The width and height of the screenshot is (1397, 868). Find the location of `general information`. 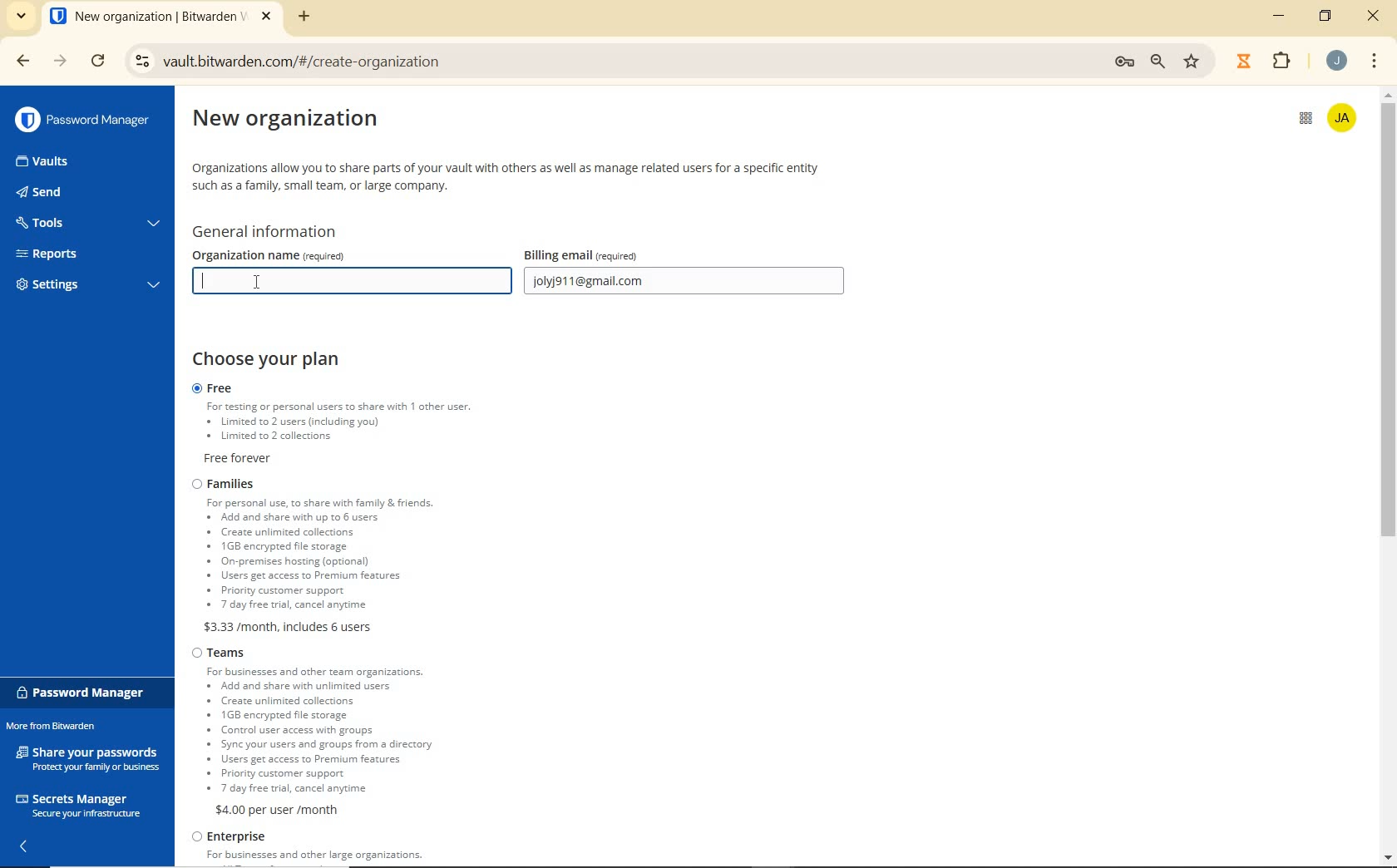

general information is located at coordinates (273, 232).